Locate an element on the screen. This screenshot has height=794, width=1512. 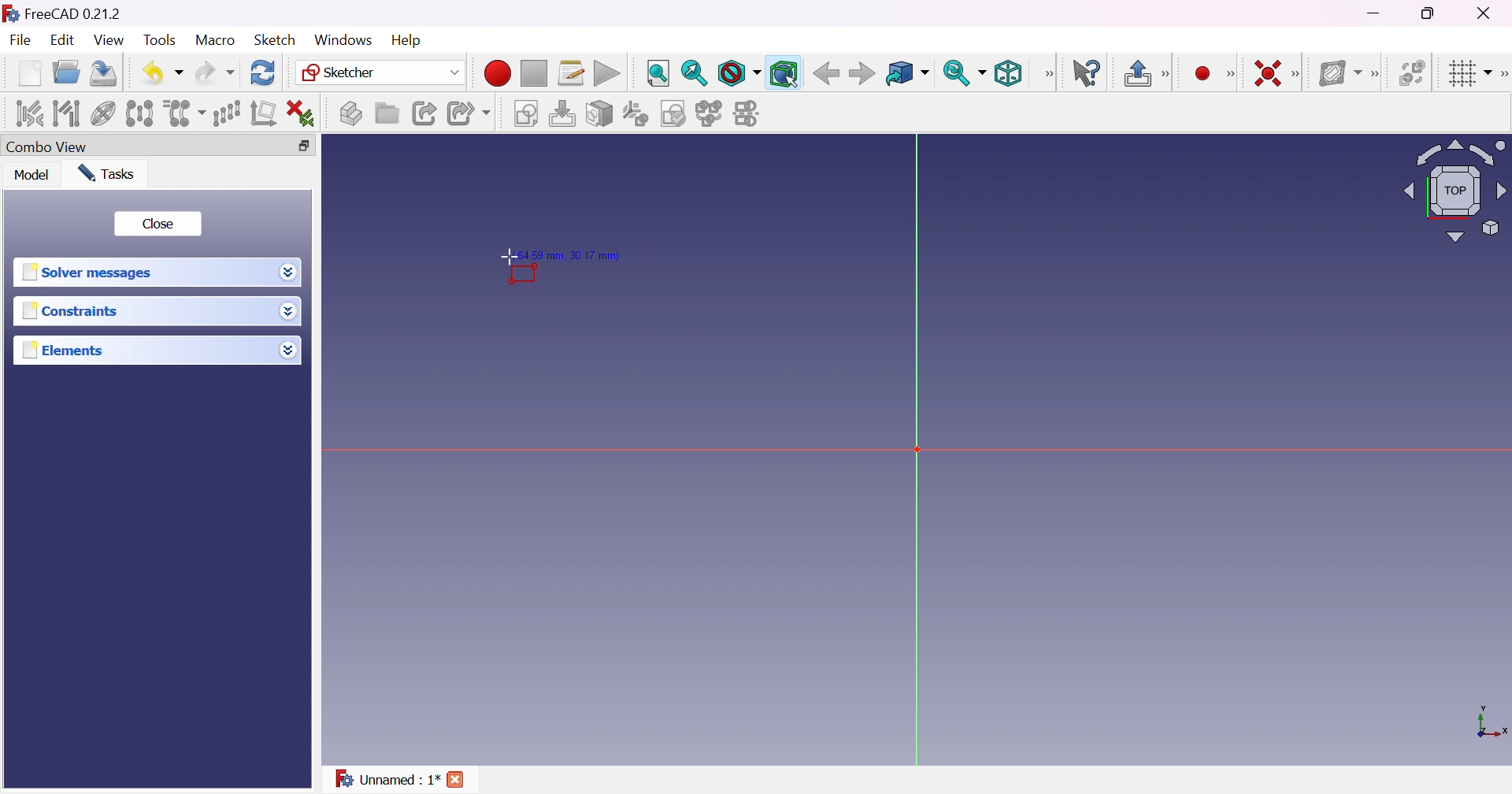
Cross is located at coordinates (454, 779).